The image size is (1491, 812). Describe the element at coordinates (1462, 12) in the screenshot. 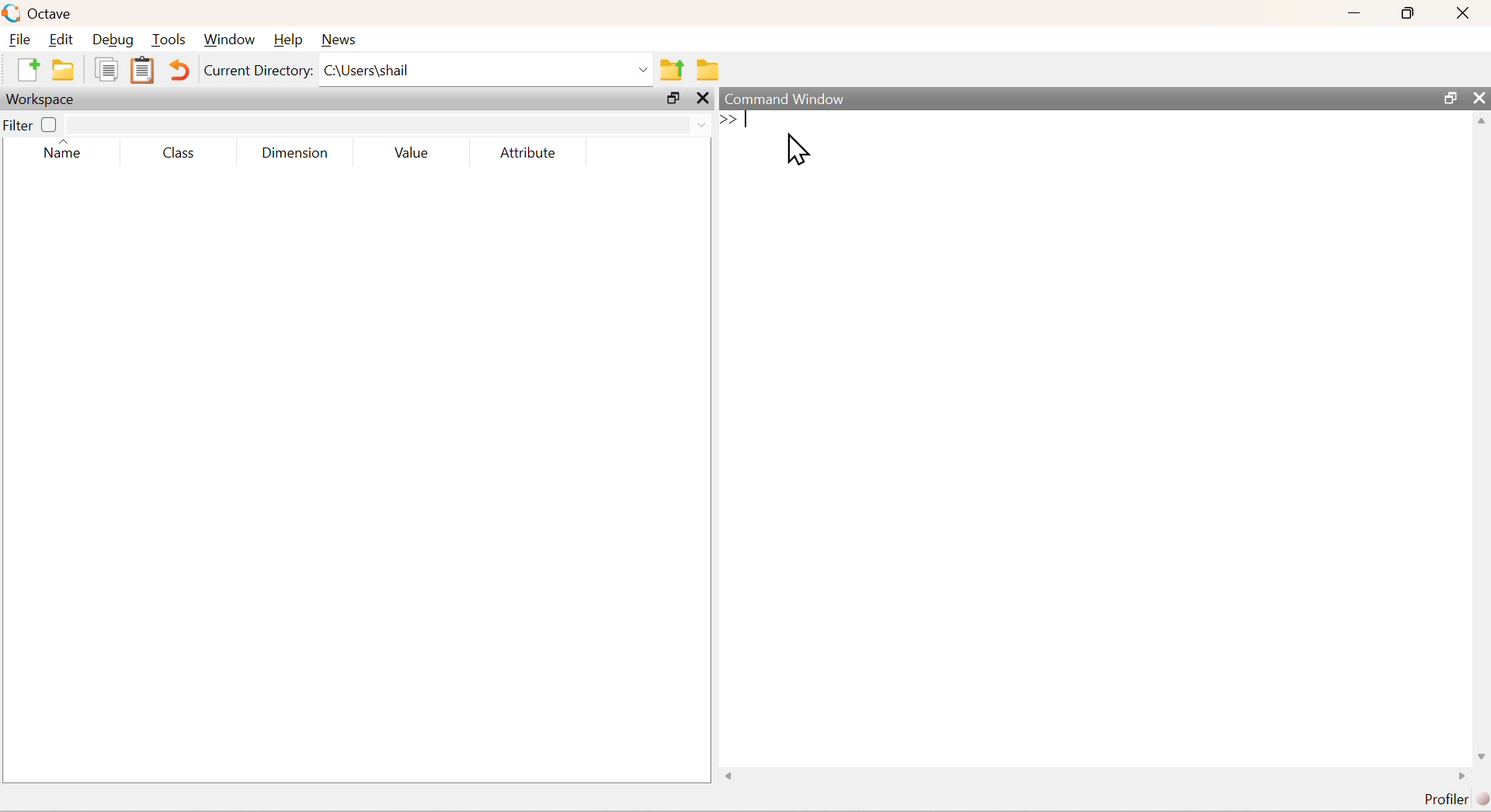

I see `Close` at that location.